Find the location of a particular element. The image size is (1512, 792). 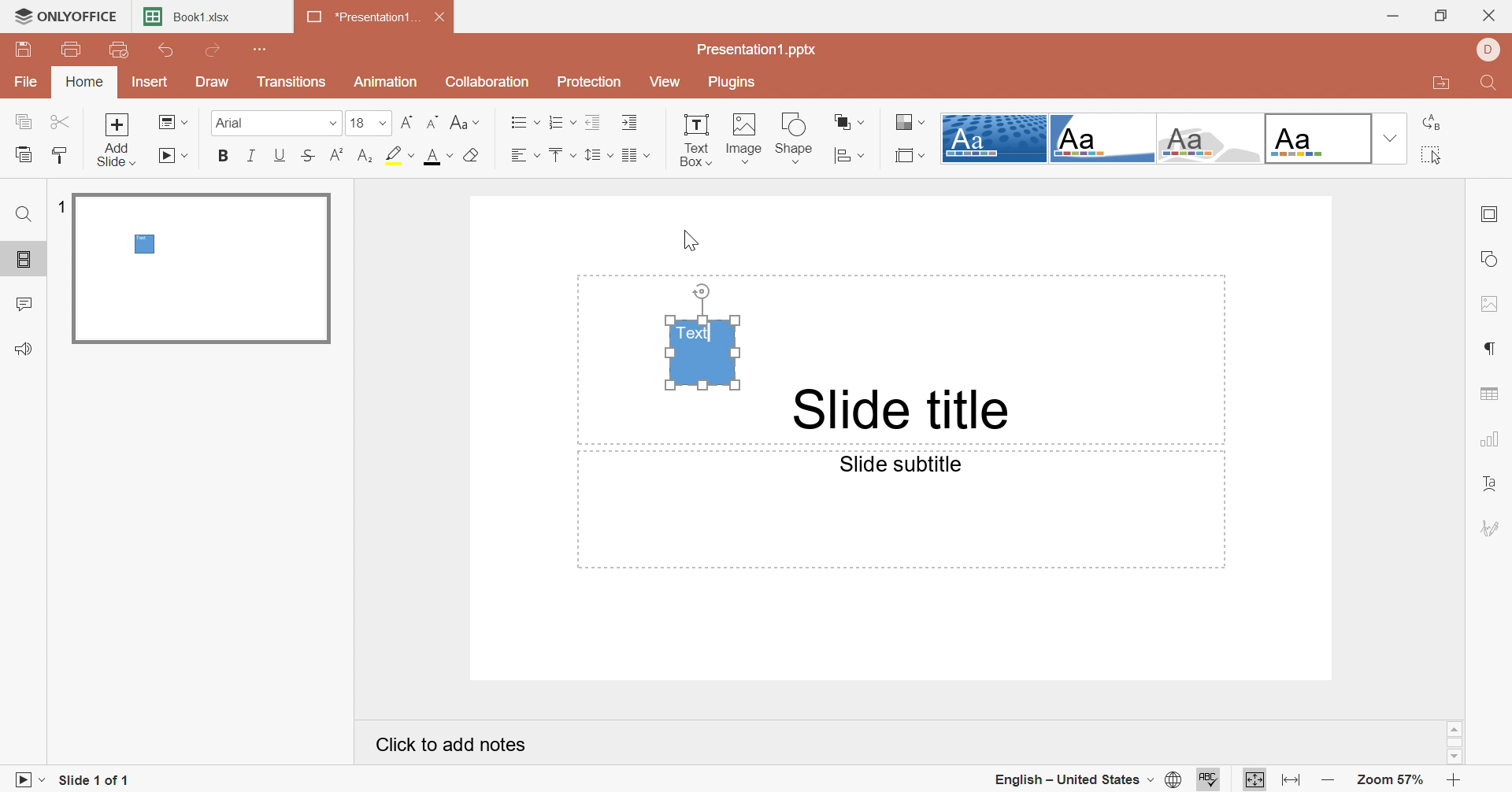

Set document language is located at coordinates (1173, 779).